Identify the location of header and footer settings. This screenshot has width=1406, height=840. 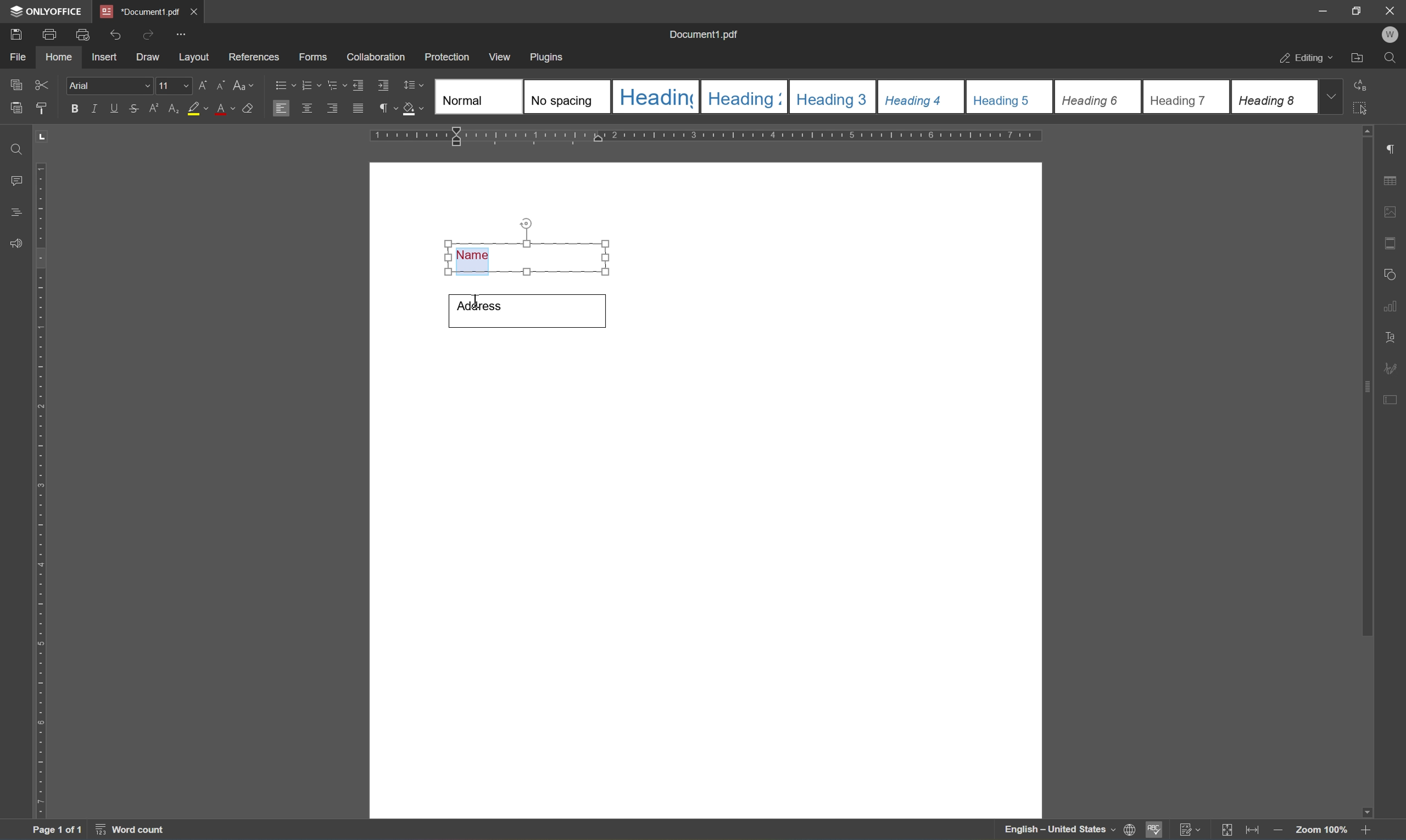
(1390, 242).